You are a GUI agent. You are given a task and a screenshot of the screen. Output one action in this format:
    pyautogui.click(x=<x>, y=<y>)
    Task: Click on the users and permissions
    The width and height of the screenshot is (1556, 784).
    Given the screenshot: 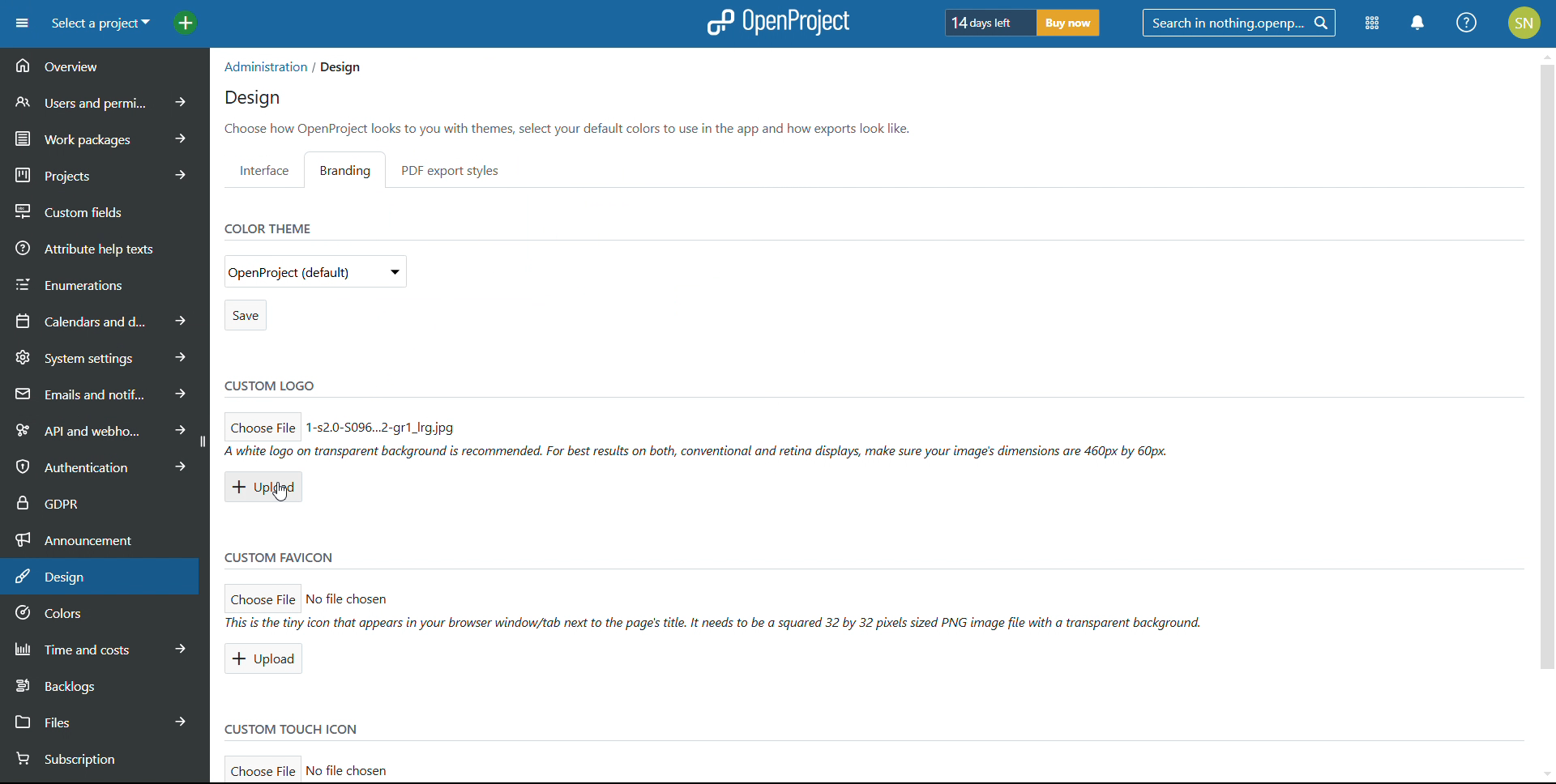 What is the action you would take?
    pyautogui.click(x=106, y=101)
    